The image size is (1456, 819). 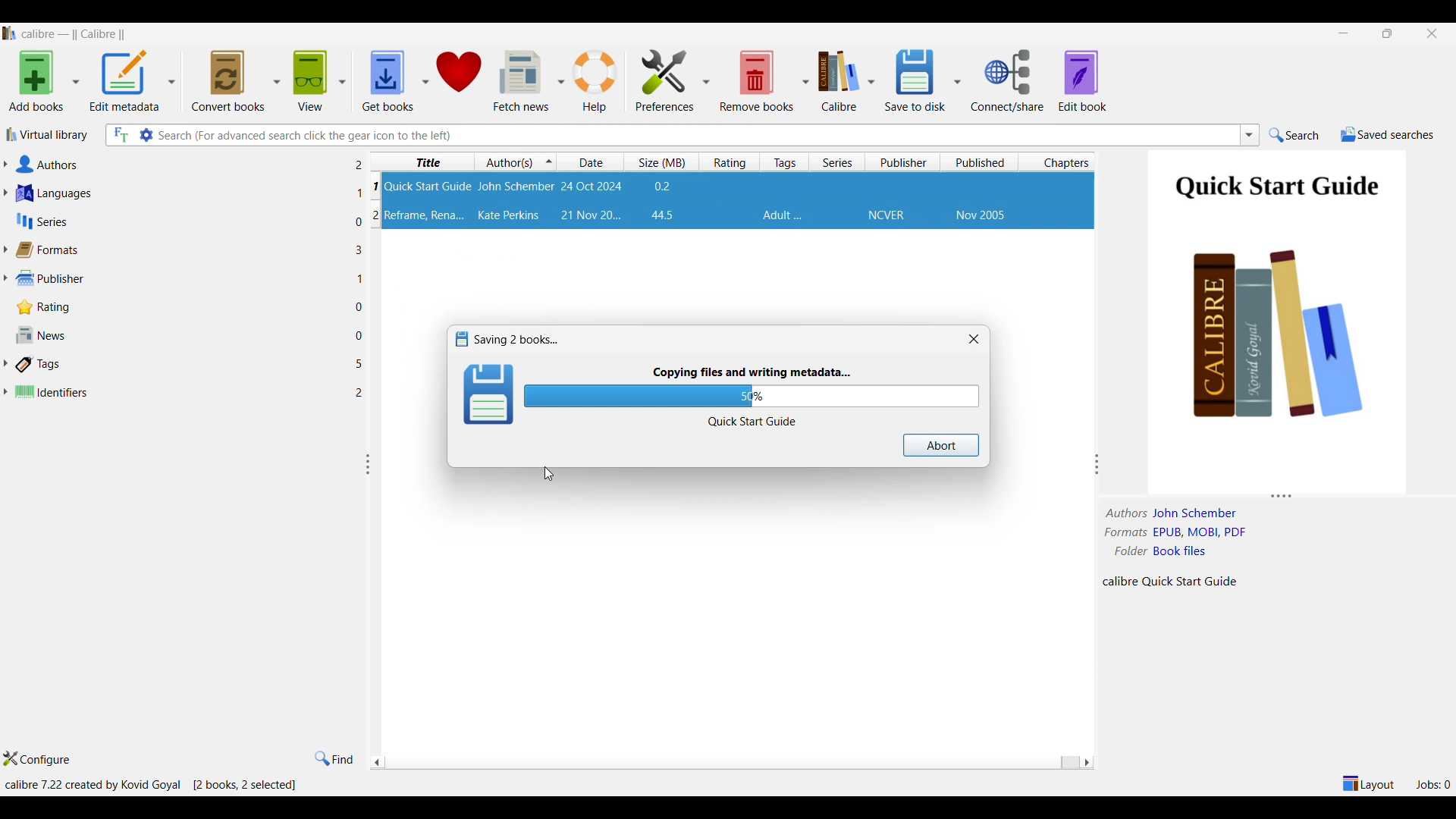 I want to click on Software name, so click(x=74, y=34).